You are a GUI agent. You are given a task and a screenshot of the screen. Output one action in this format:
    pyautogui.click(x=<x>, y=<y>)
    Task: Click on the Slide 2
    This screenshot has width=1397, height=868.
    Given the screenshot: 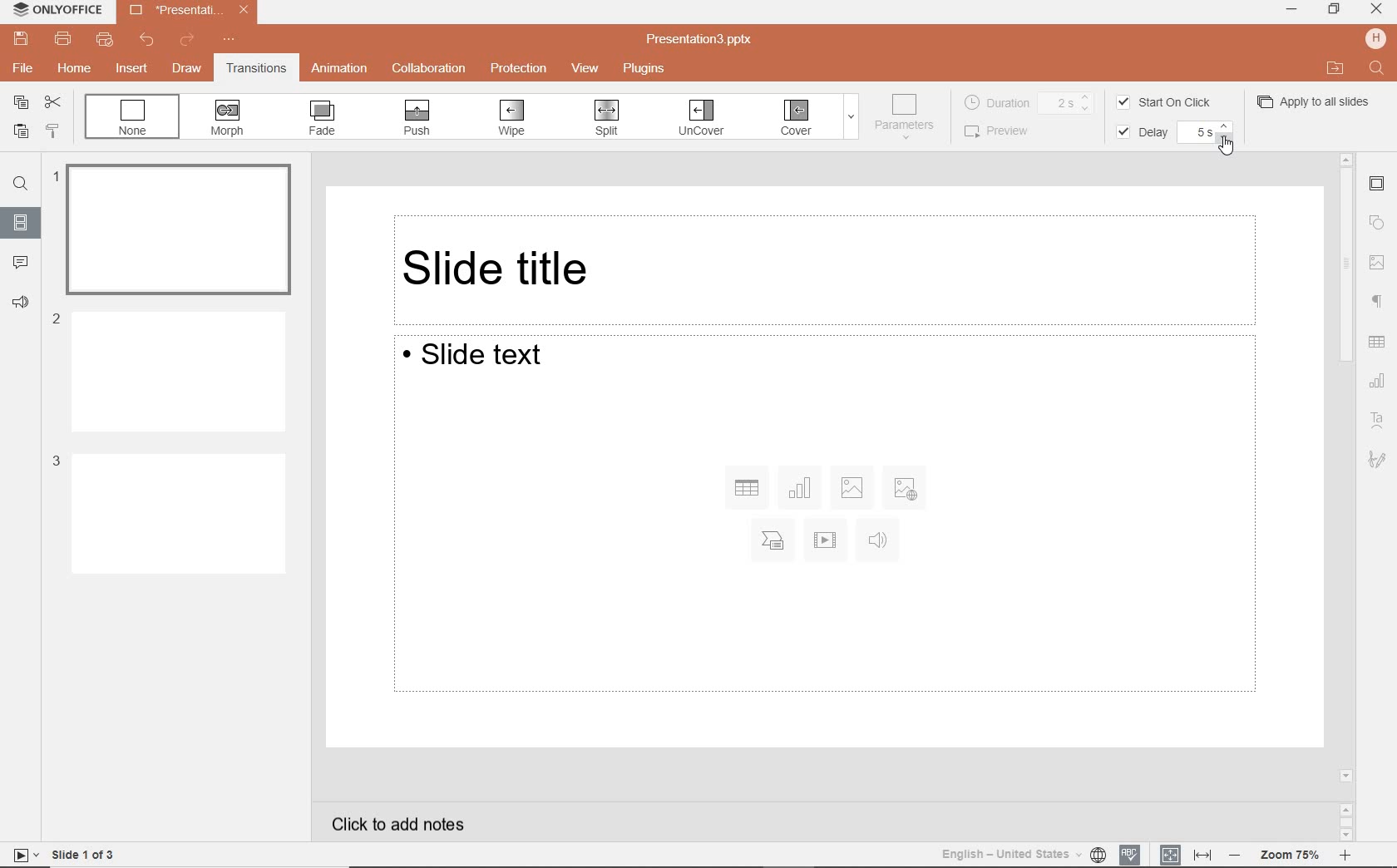 What is the action you would take?
    pyautogui.click(x=169, y=369)
    